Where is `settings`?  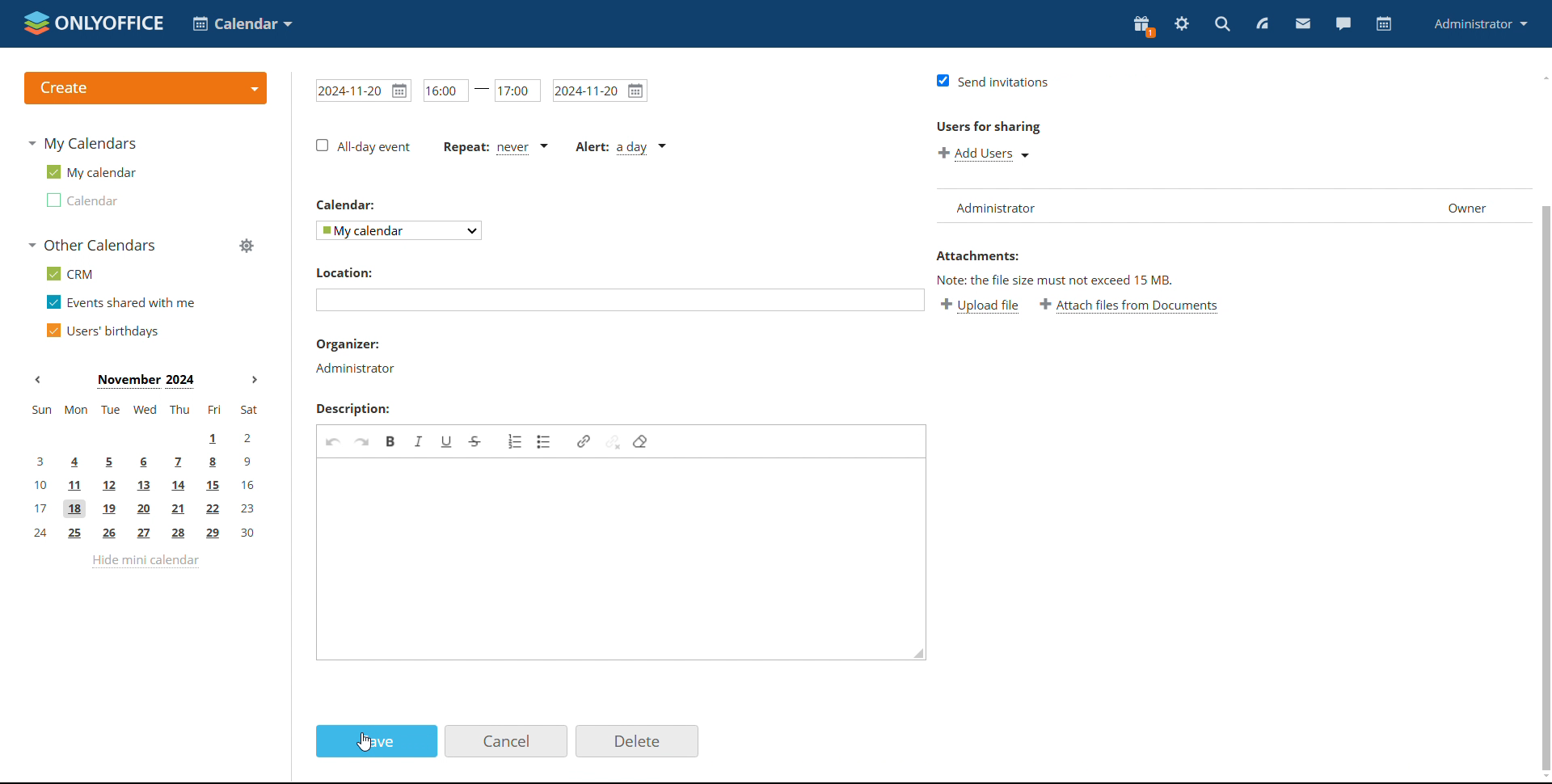 settings is located at coordinates (1183, 23).